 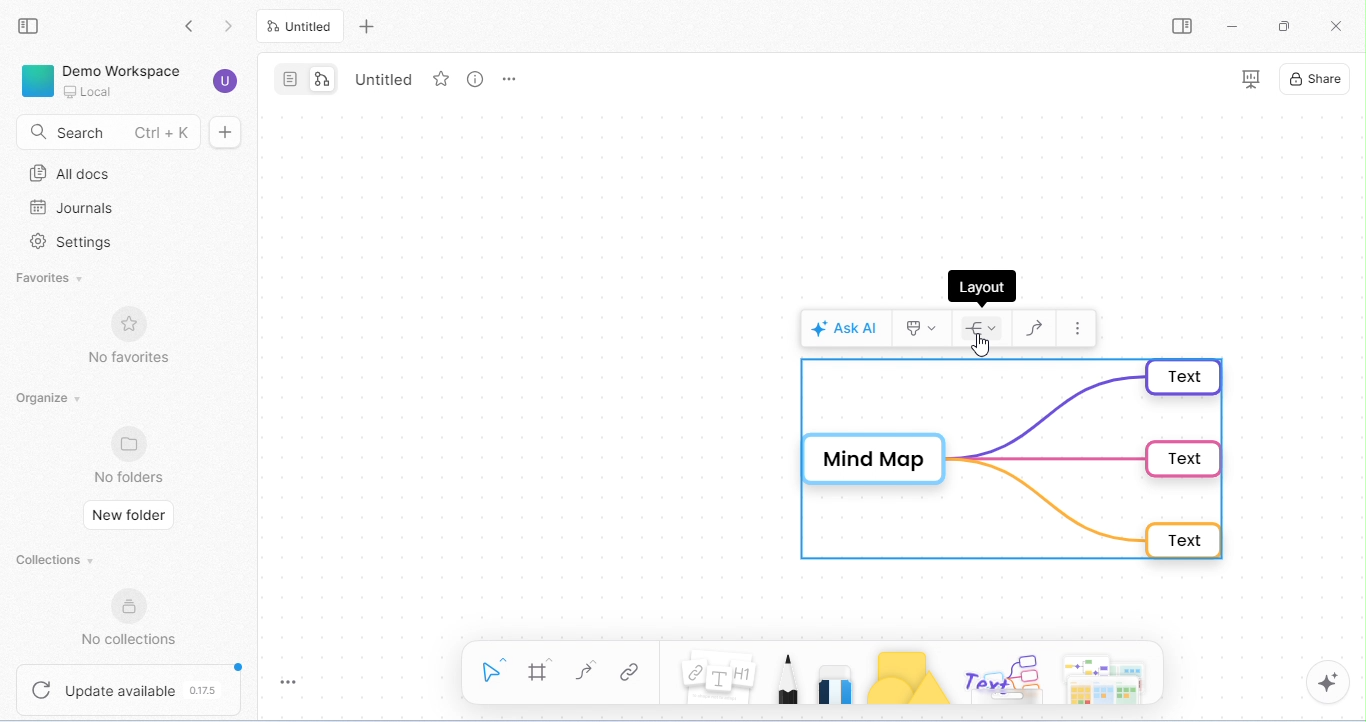 What do you see at coordinates (586, 671) in the screenshot?
I see `connectors` at bounding box center [586, 671].